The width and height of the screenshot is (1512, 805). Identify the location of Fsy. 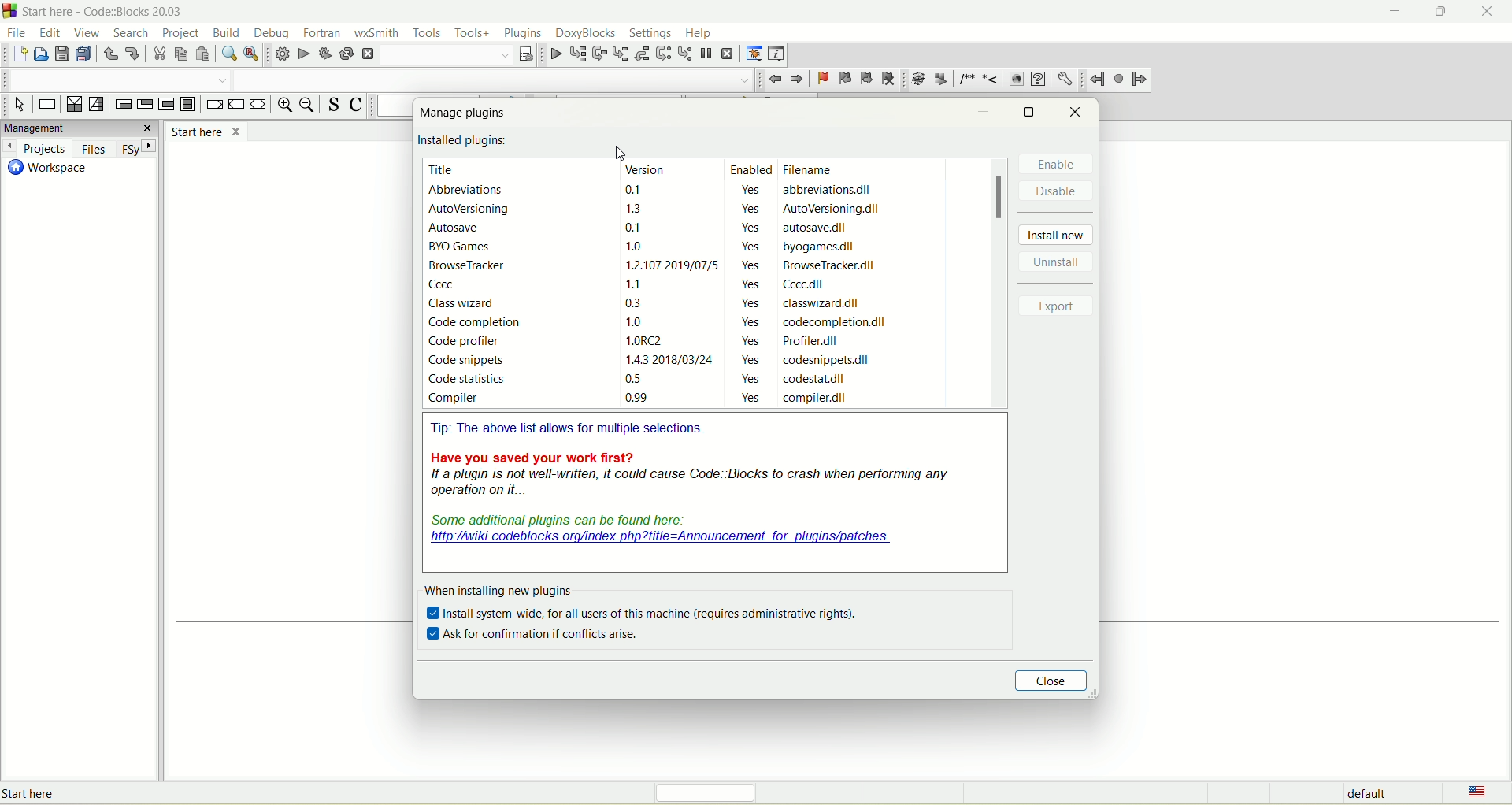
(136, 148).